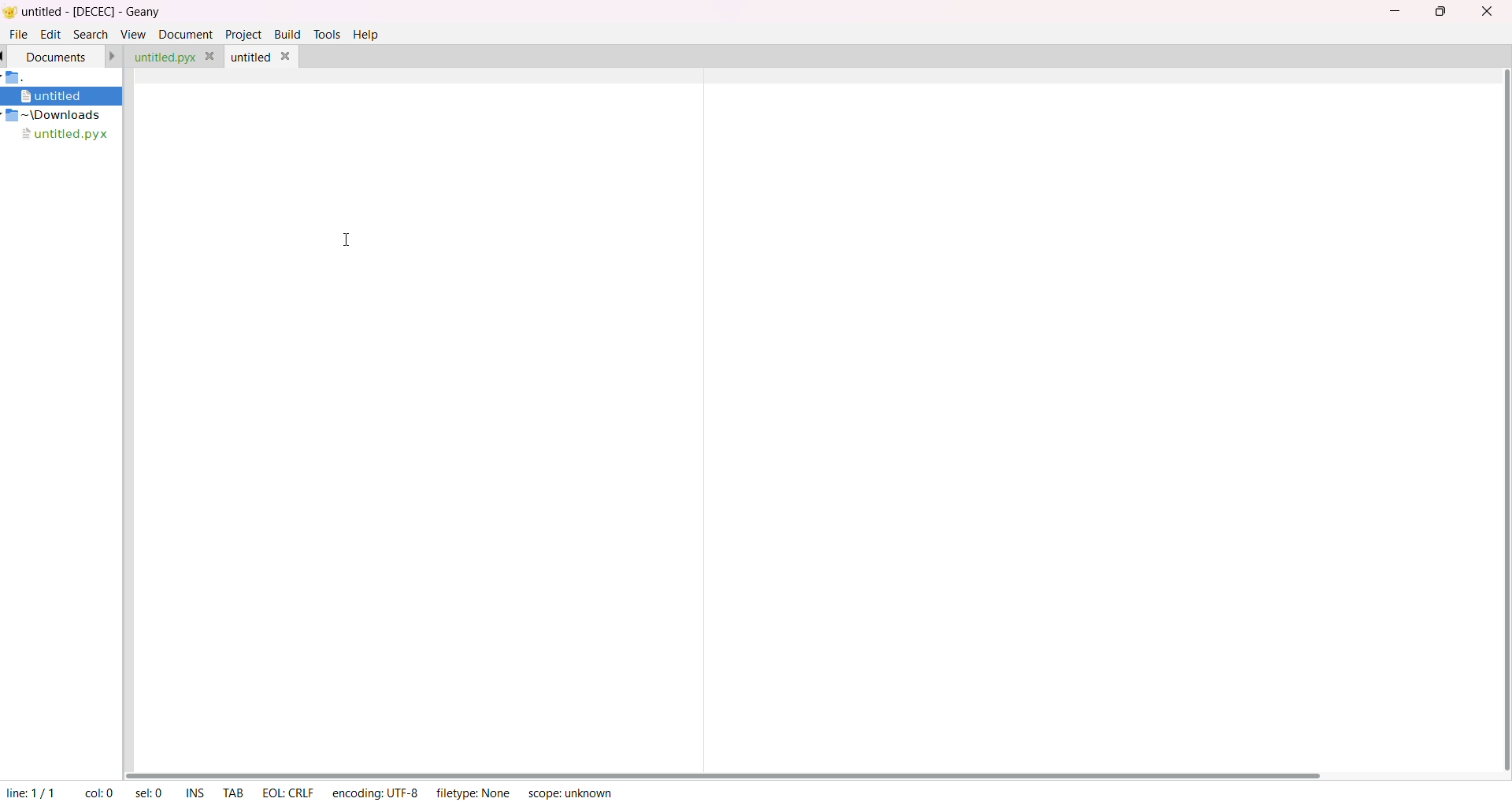 This screenshot has height=802, width=1512. What do you see at coordinates (343, 240) in the screenshot?
I see `cursor` at bounding box center [343, 240].